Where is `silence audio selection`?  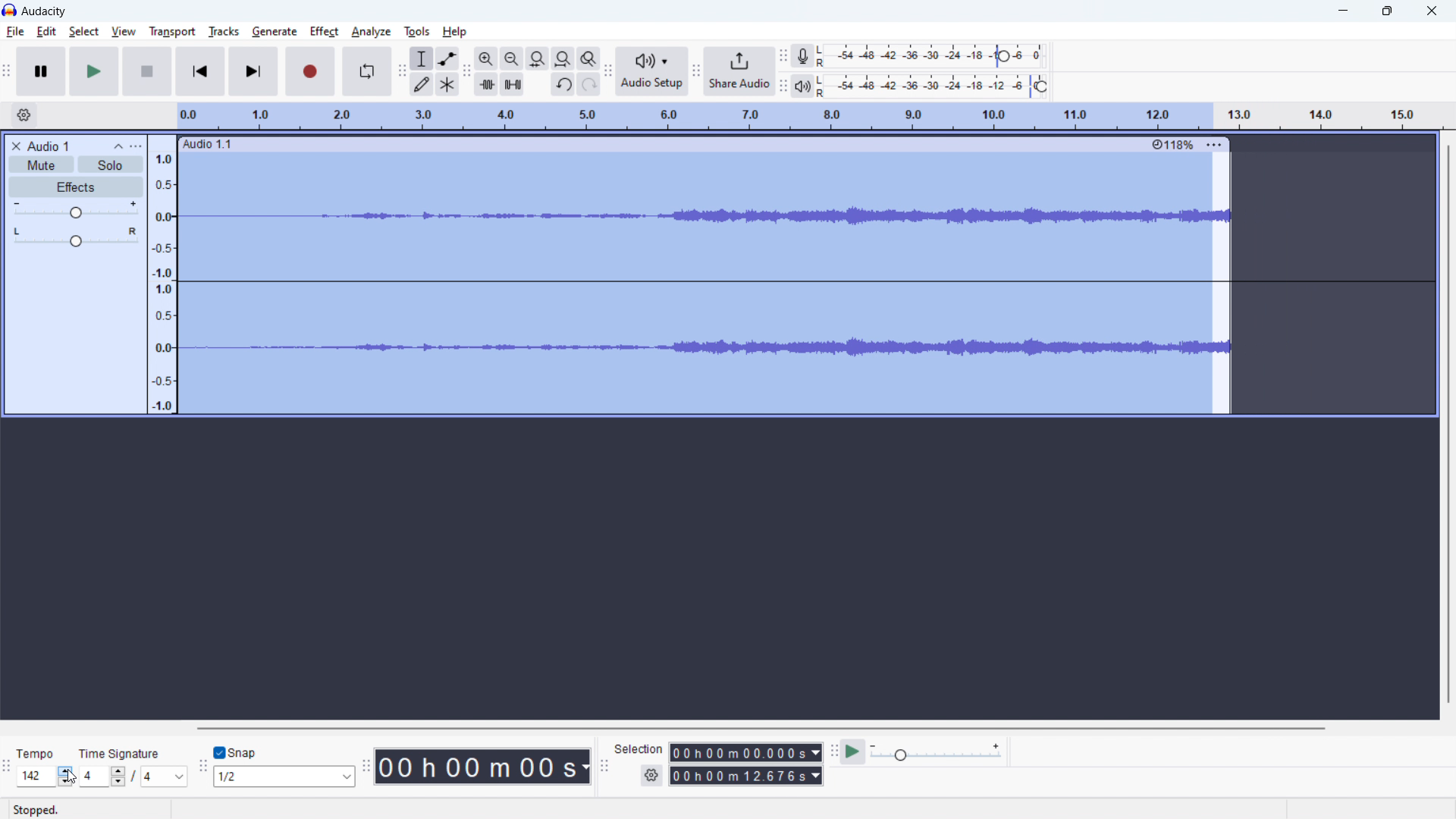 silence audio selection is located at coordinates (512, 84).